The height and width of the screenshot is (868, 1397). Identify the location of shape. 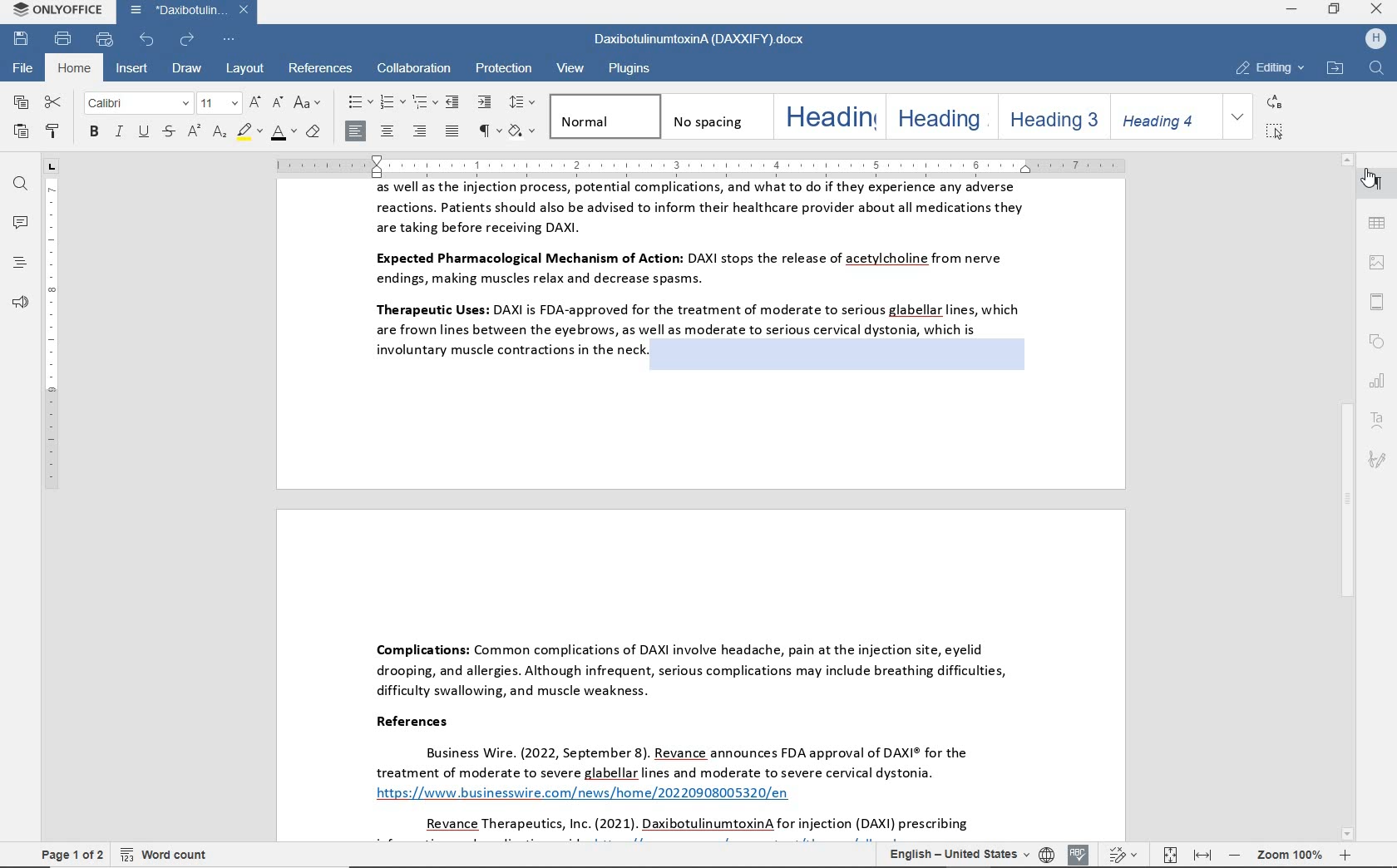
(1380, 343).